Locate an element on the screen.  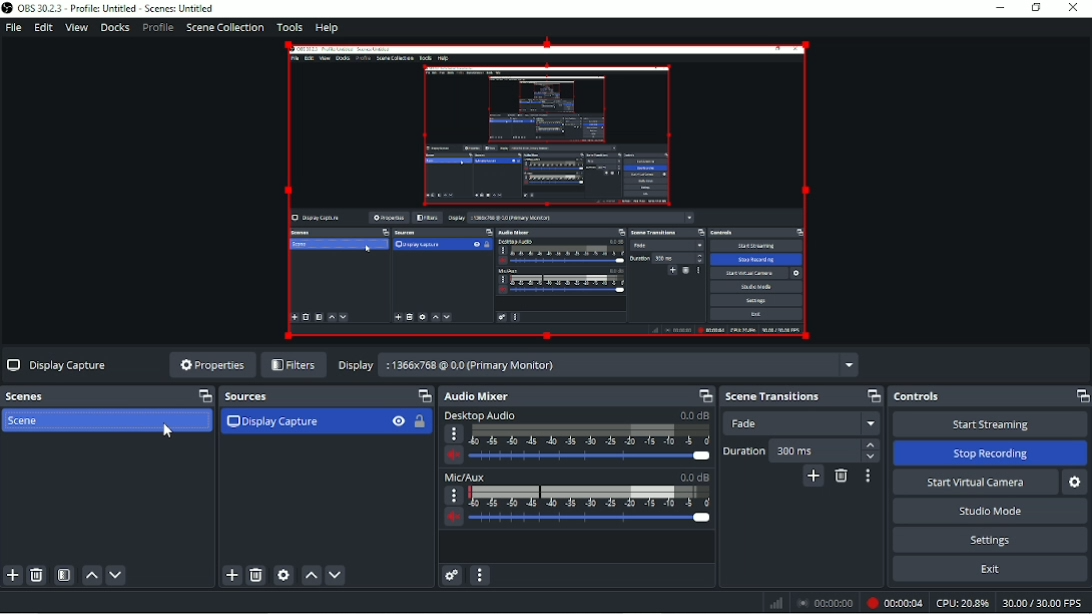
More options is located at coordinates (454, 435).